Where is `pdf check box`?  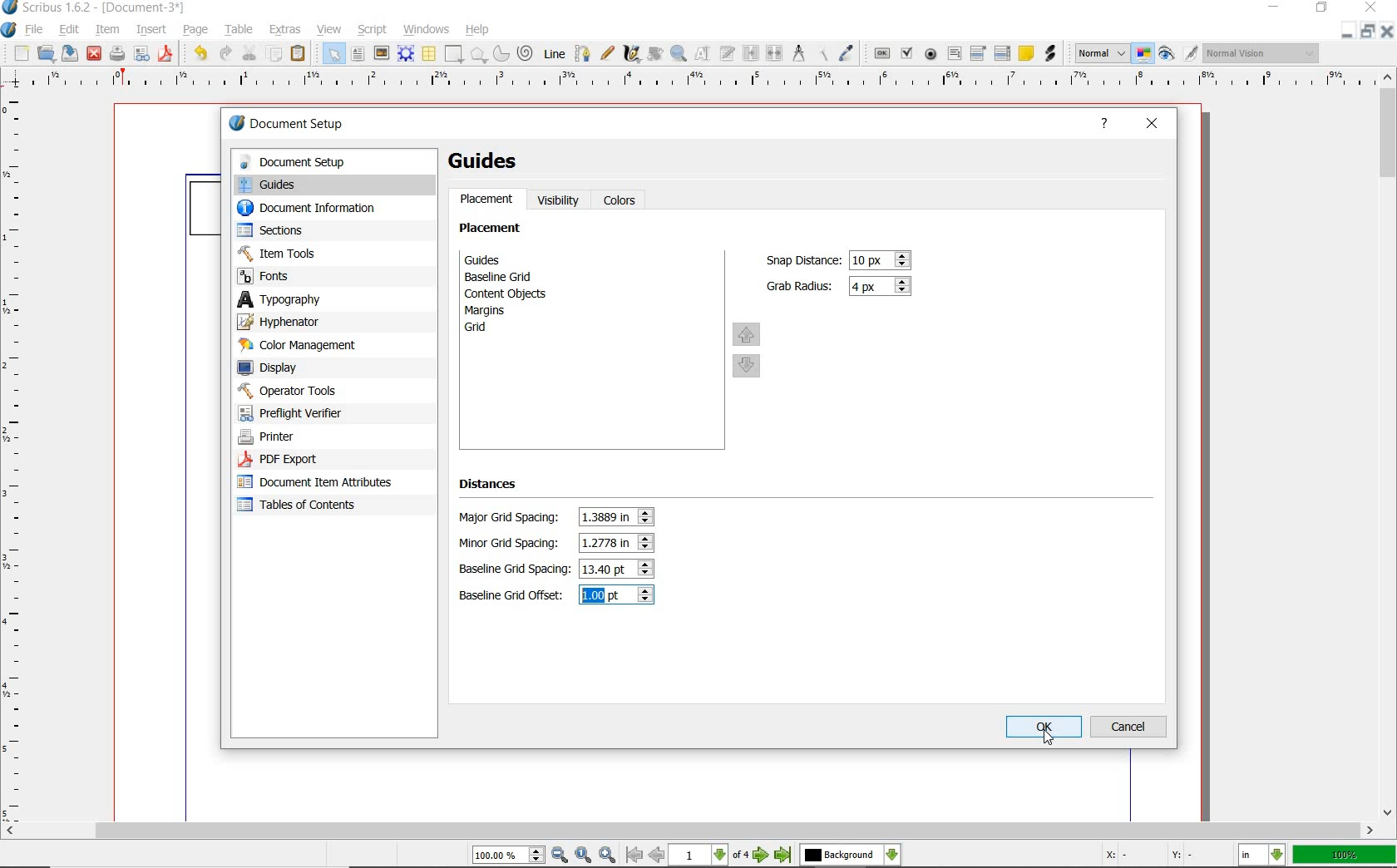 pdf check box is located at coordinates (906, 52).